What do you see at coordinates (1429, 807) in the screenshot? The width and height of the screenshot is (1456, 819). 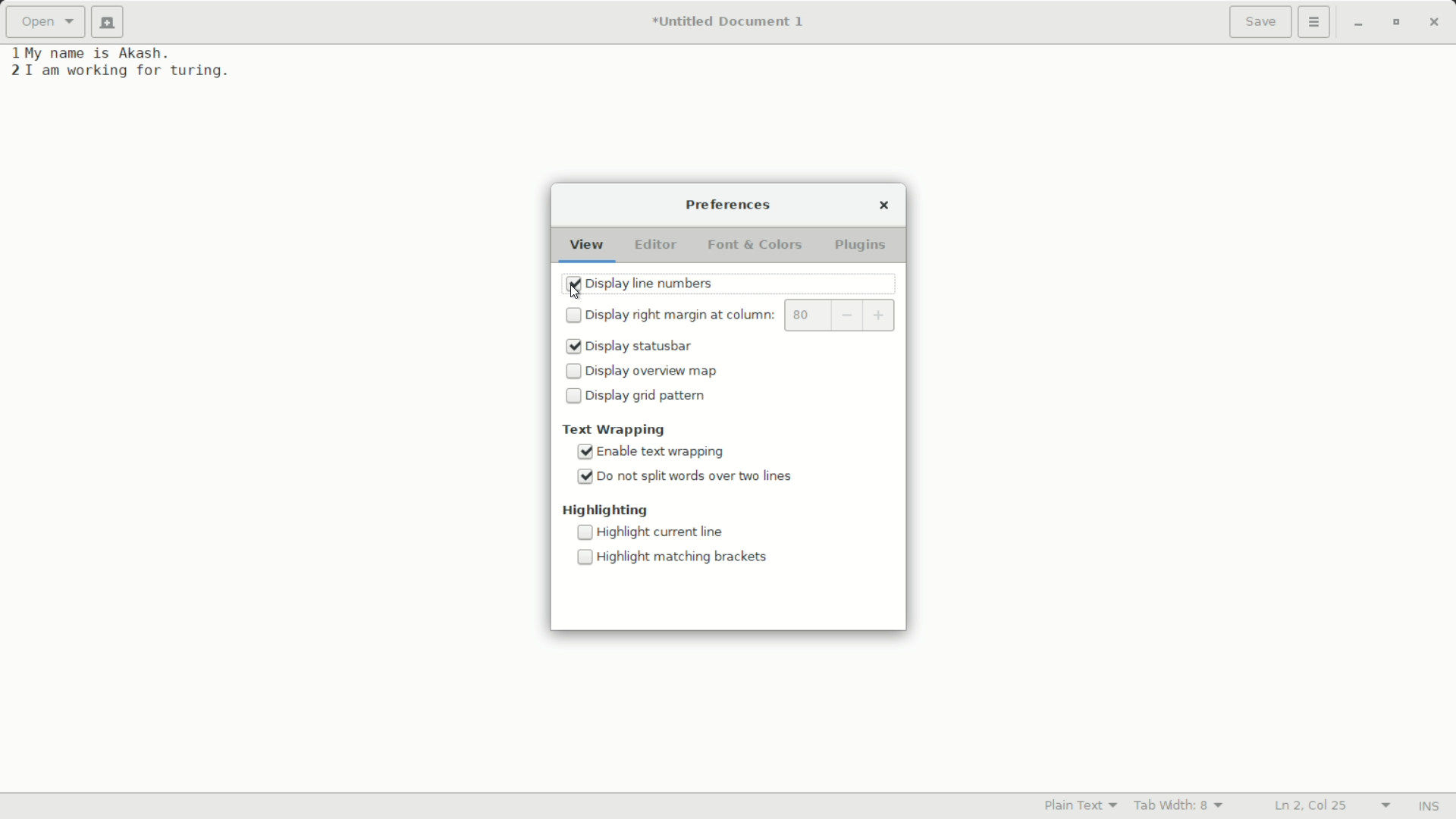 I see `ins` at bounding box center [1429, 807].